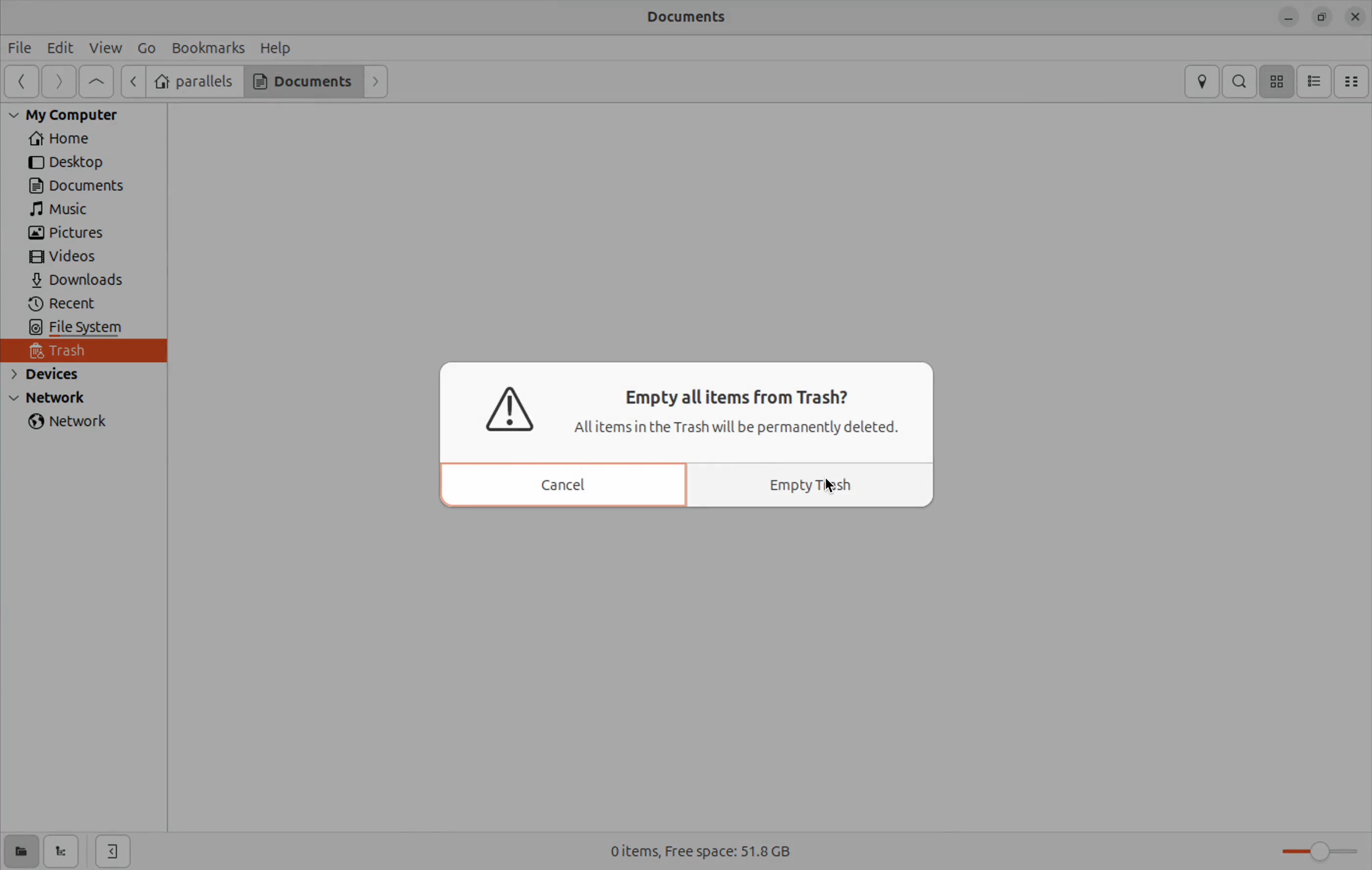 The image size is (1372, 870). I want to click on close, so click(1354, 18).